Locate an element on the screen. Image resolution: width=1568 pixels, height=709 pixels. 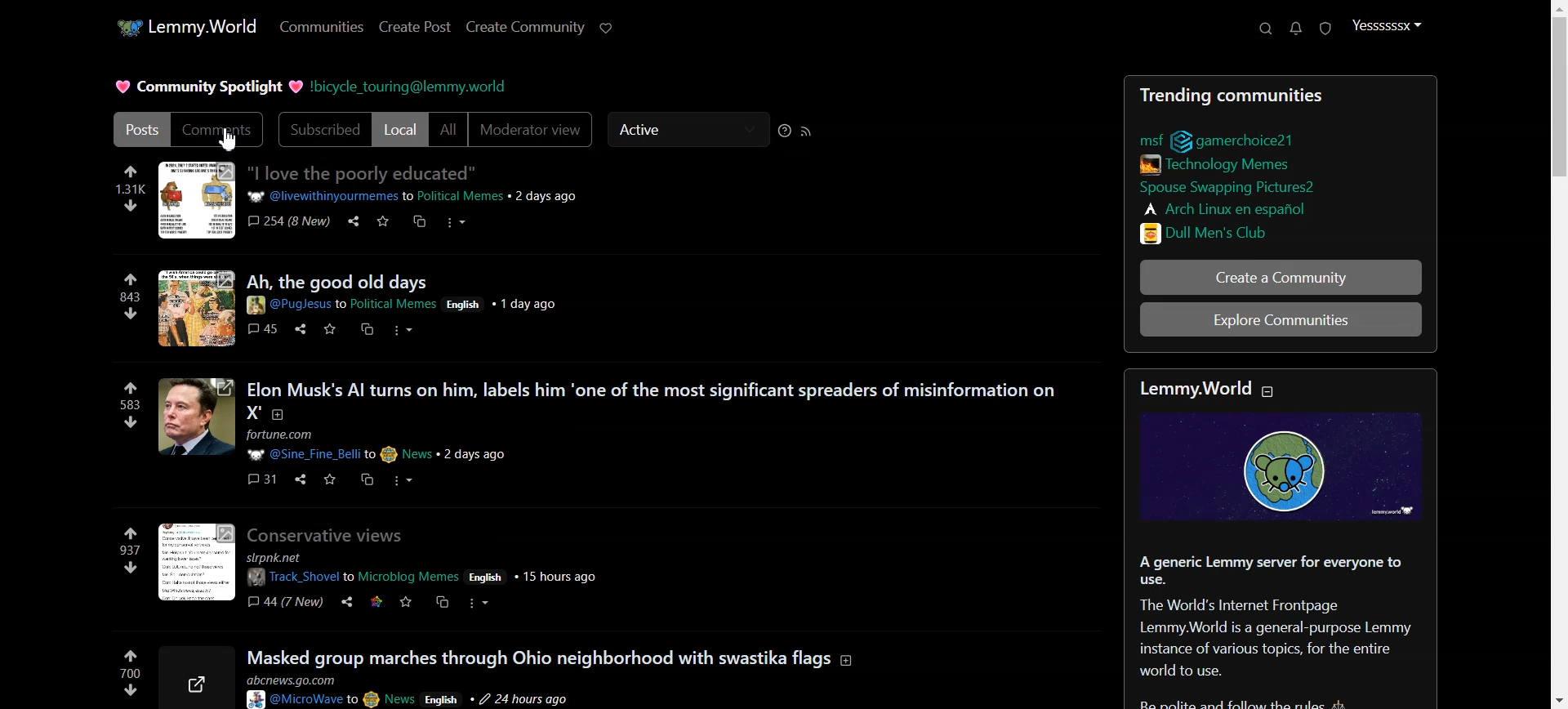
comments is located at coordinates (261, 328).